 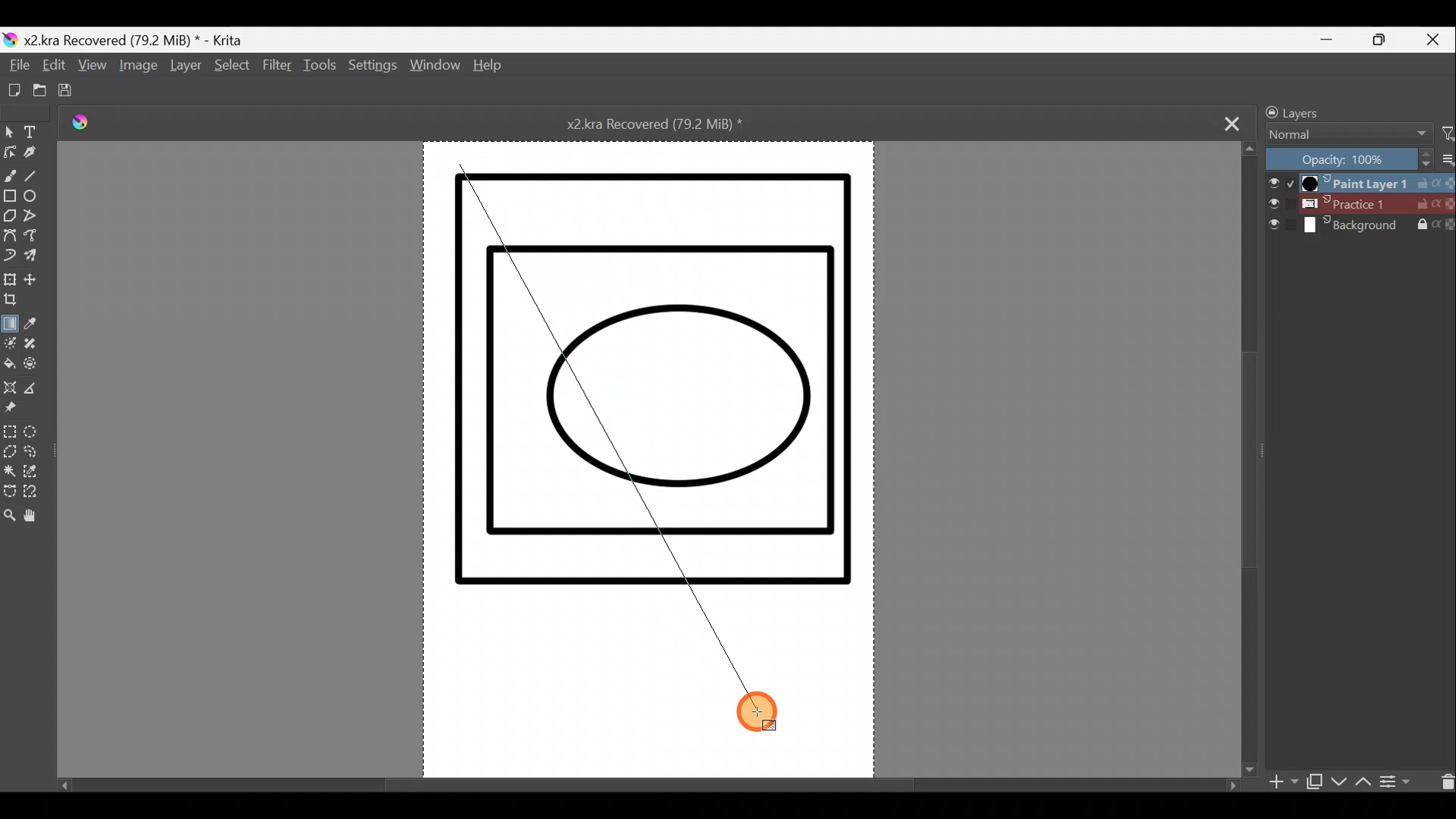 I want to click on Ellipse tool, so click(x=35, y=199).